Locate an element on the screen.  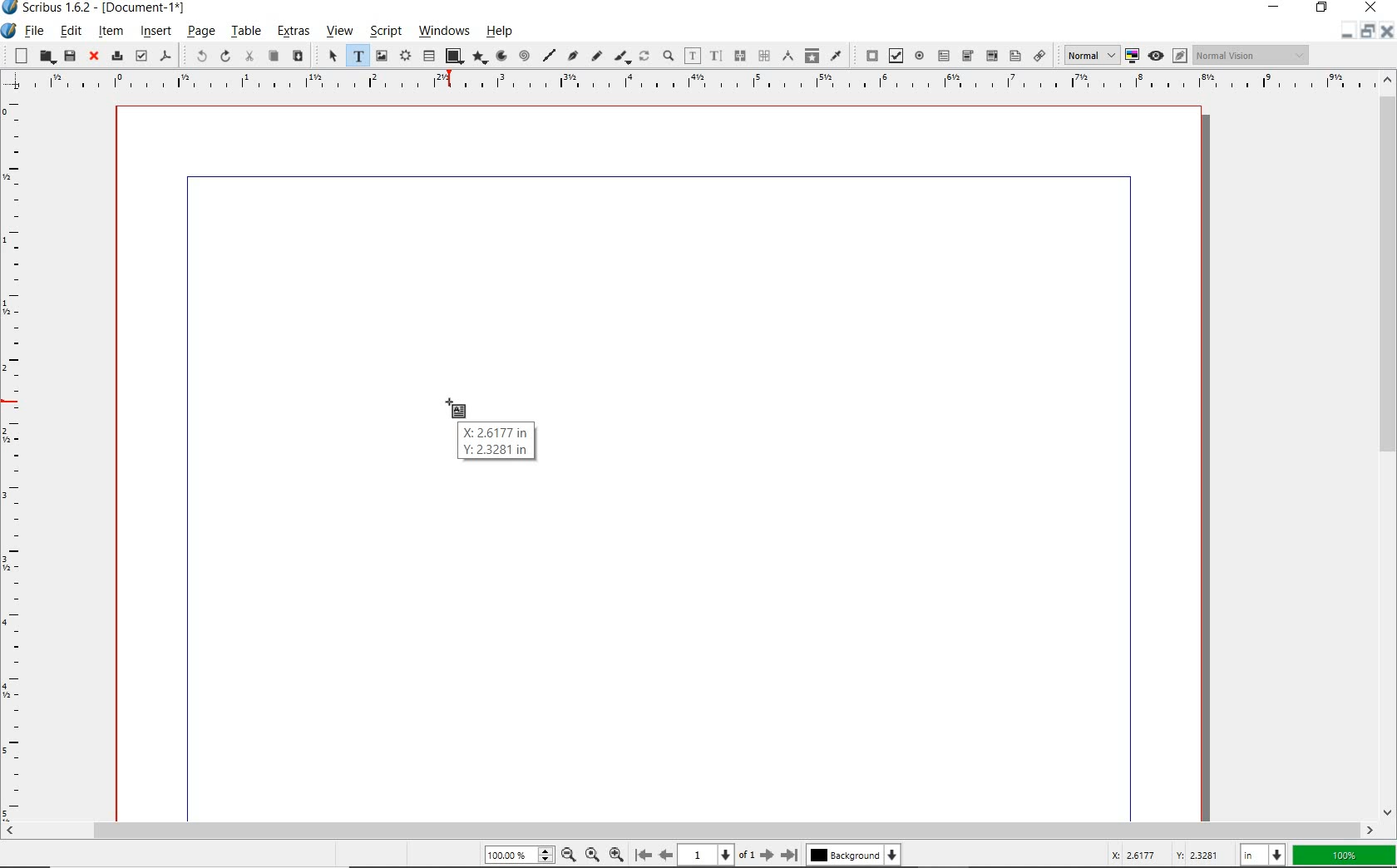
Edit in preview mode is located at coordinates (1181, 55).